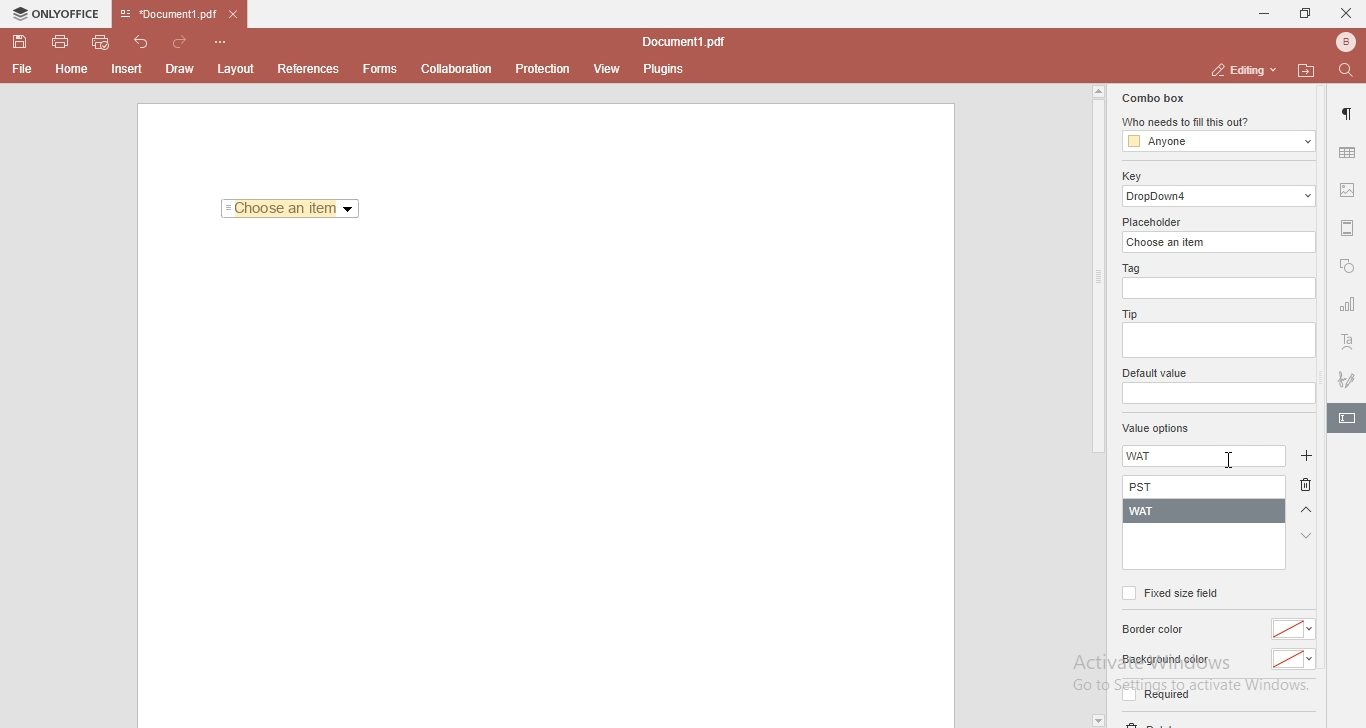  Describe the element at coordinates (1348, 226) in the screenshot. I see `margin` at that location.